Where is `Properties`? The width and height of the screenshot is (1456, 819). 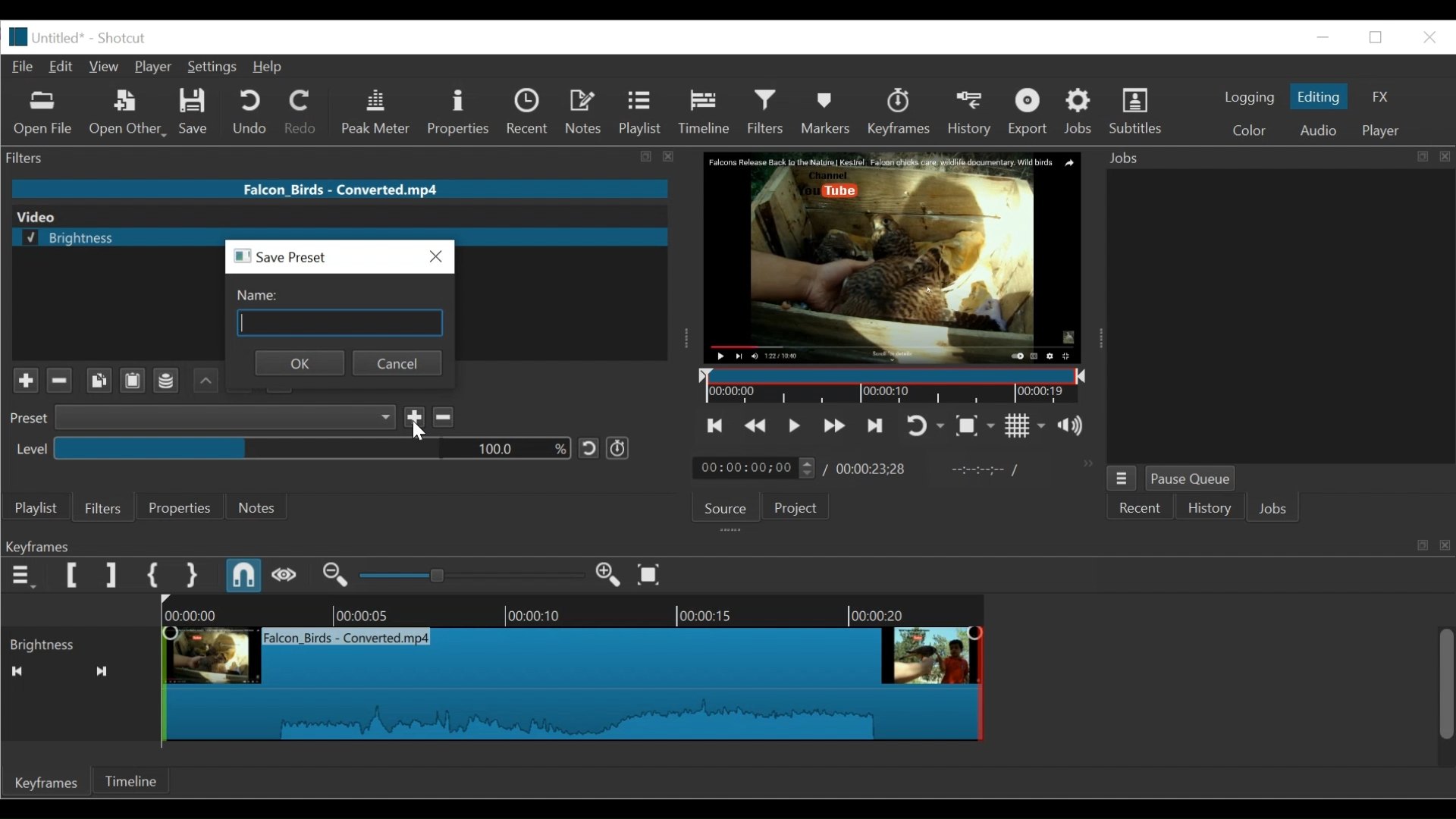 Properties is located at coordinates (183, 507).